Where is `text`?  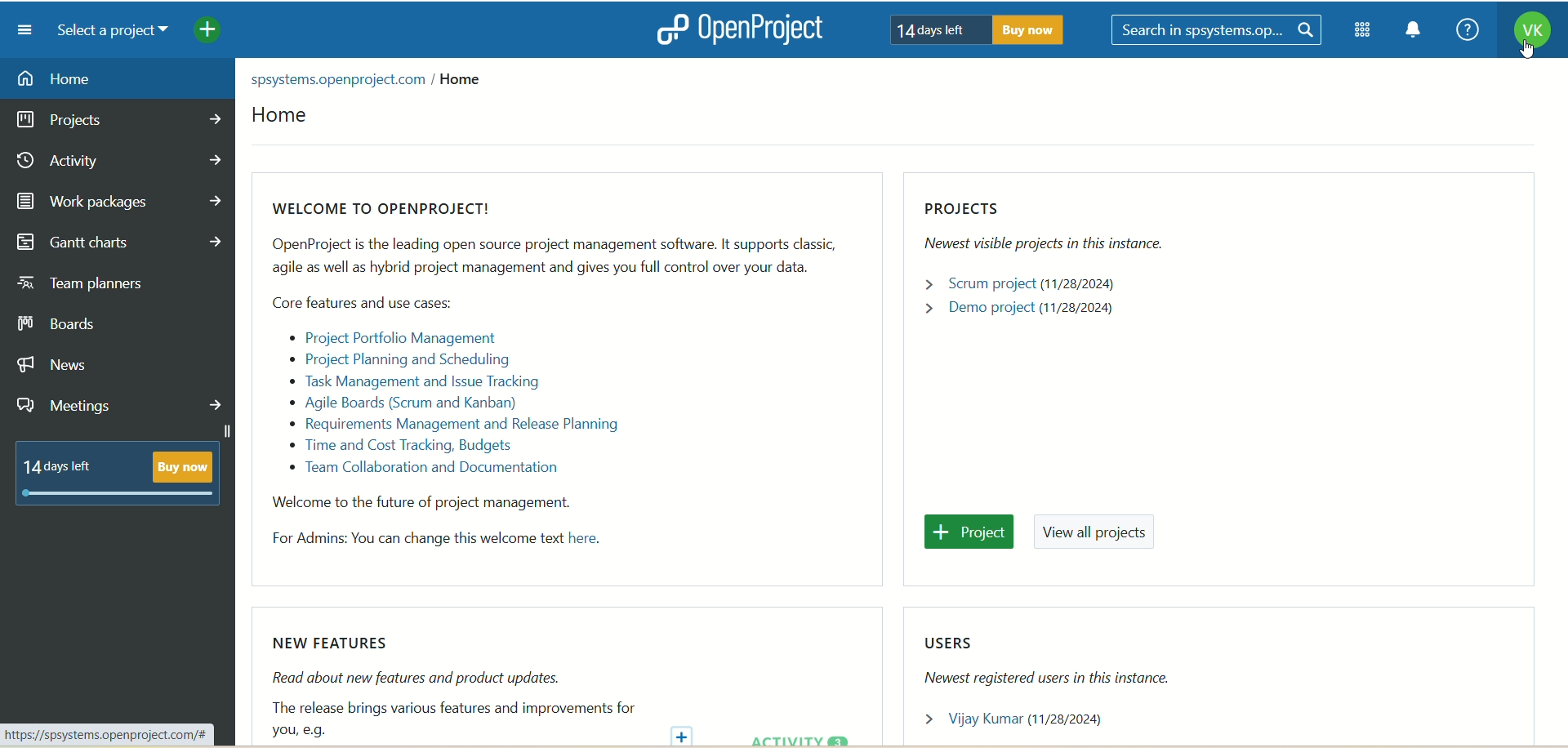
text is located at coordinates (114, 474).